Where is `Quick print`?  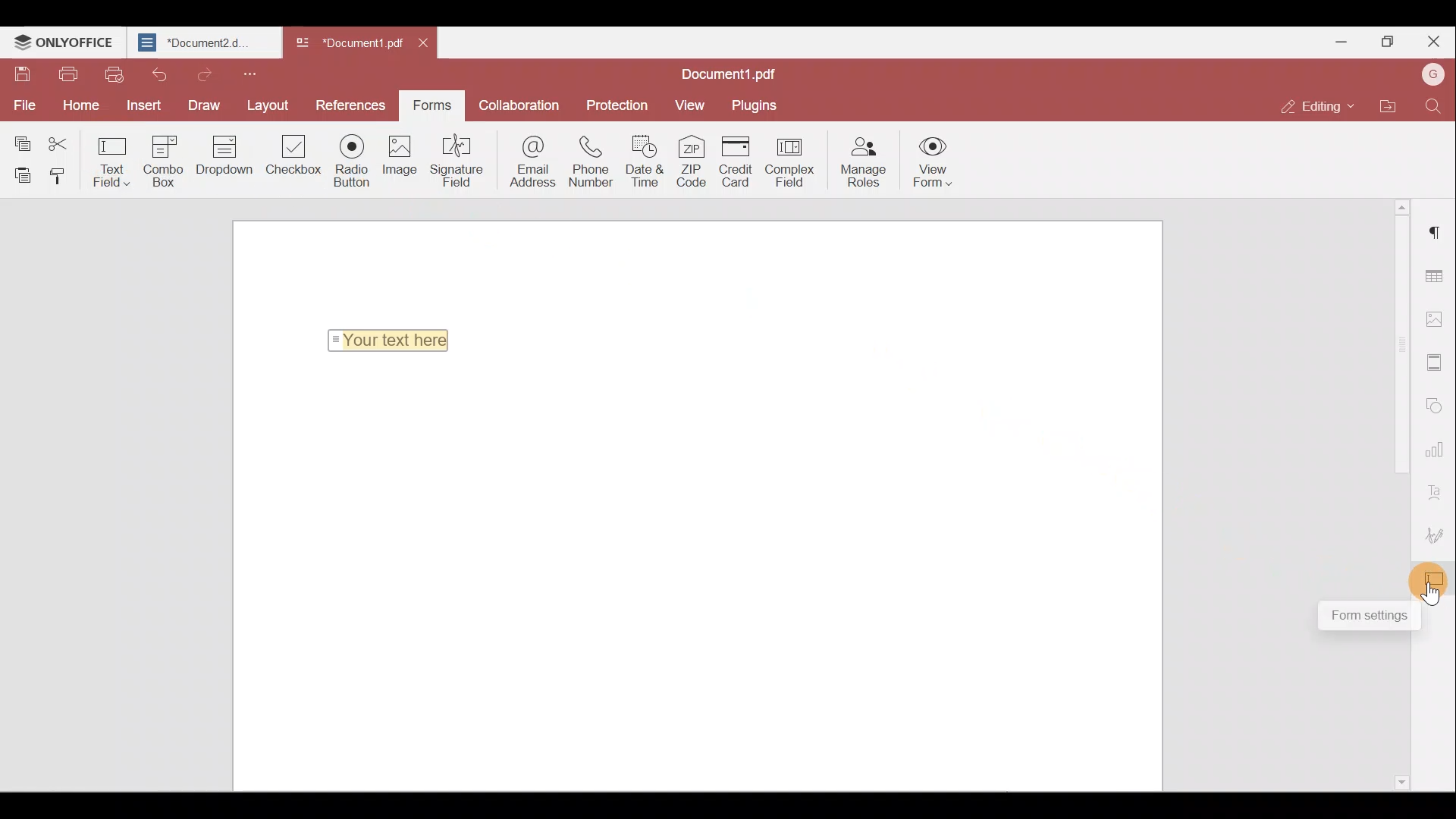
Quick print is located at coordinates (115, 76).